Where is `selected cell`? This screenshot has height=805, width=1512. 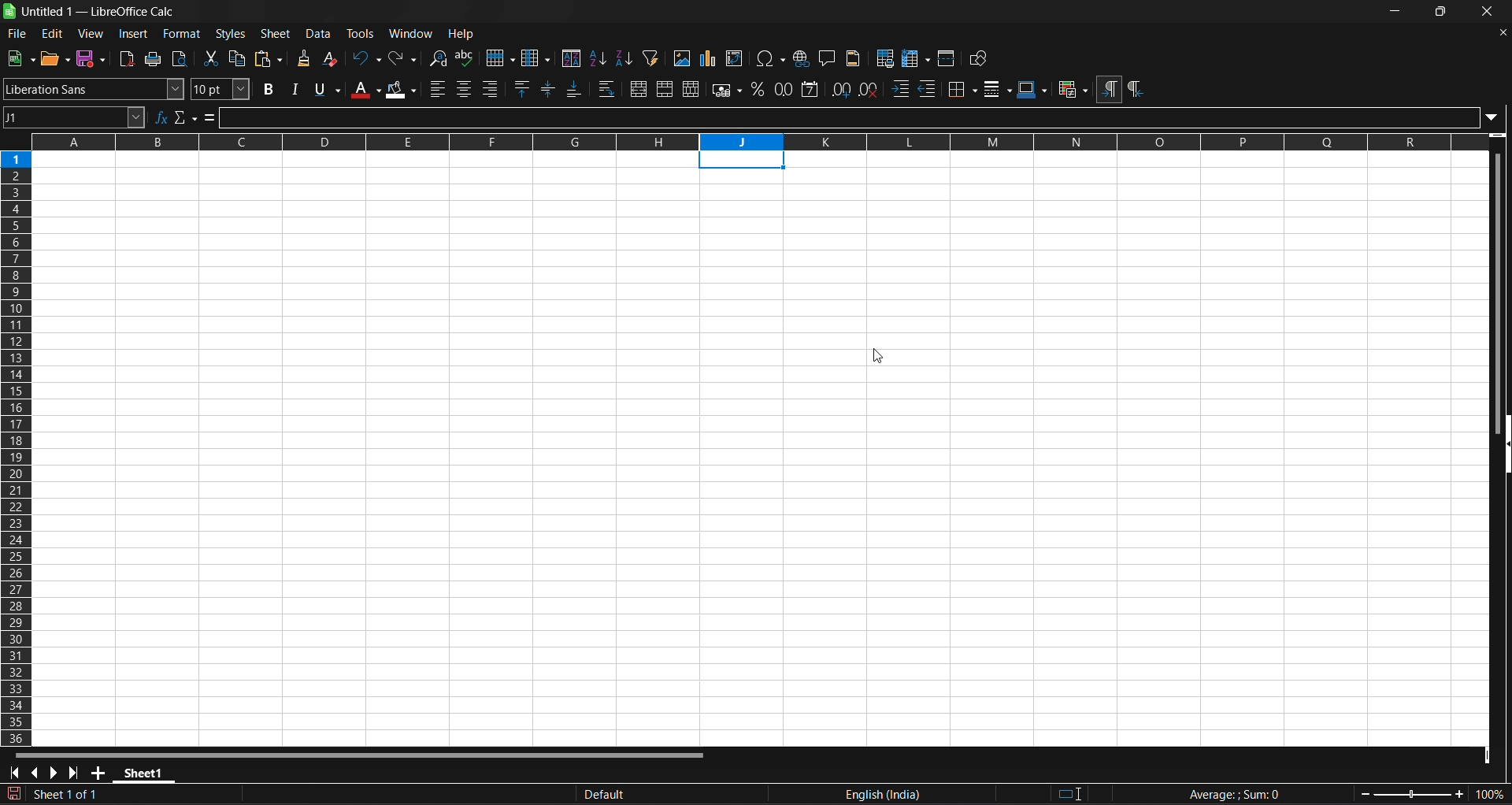 selected cell is located at coordinates (742, 160).